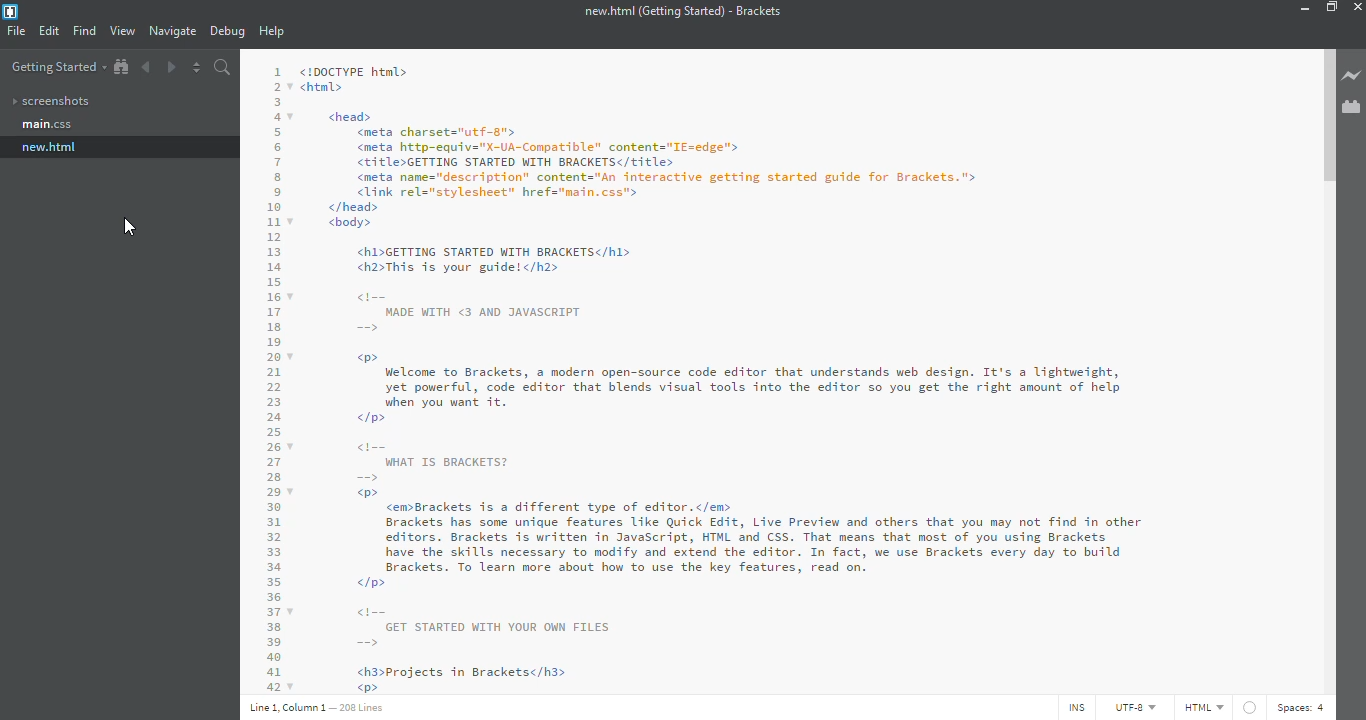 This screenshot has height=720, width=1366. What do you see at coordinates (1073, 708) in the screenshot?
I see `ins` at bounding box center [1073, 708].